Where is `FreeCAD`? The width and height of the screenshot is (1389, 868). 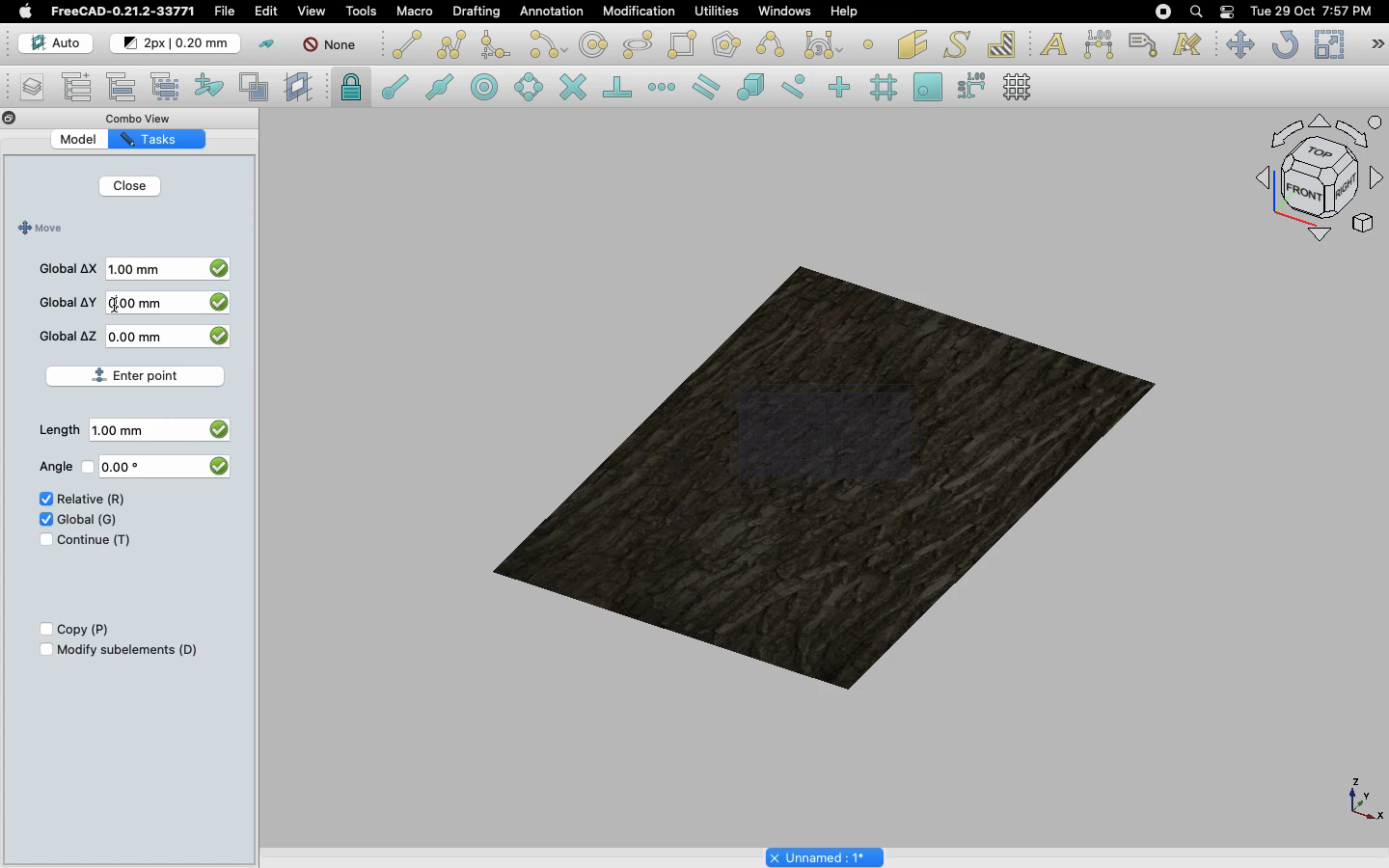
FreeCAD is located at coordinates (124, 12).